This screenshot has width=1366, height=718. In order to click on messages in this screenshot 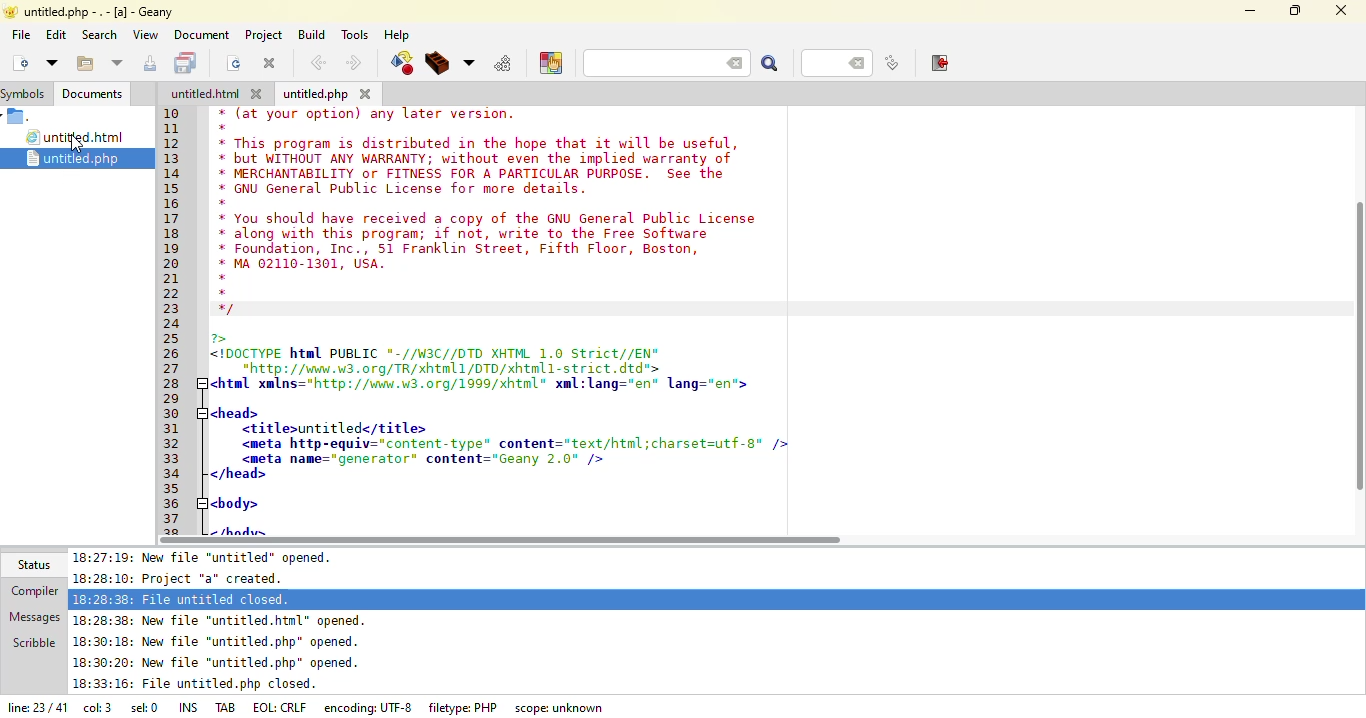, I will do `click(36, 616)`.